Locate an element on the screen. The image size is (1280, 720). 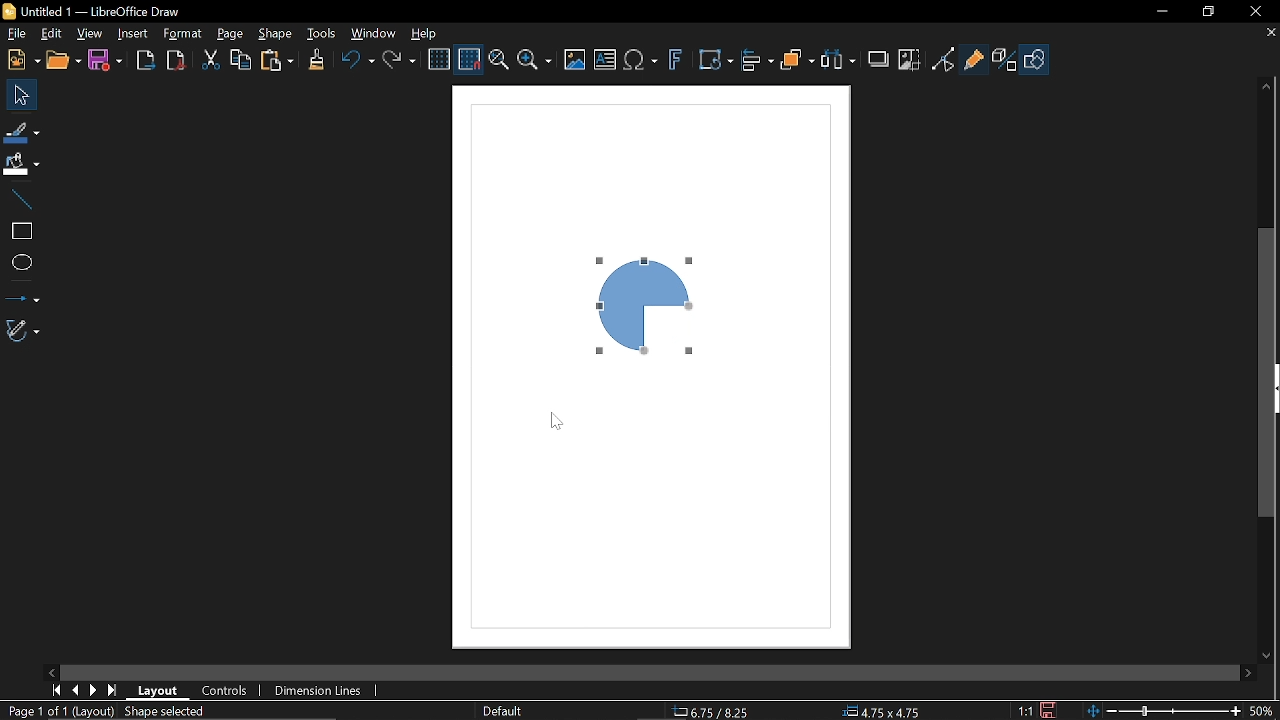
Redo is located at coordinates (402, 61).